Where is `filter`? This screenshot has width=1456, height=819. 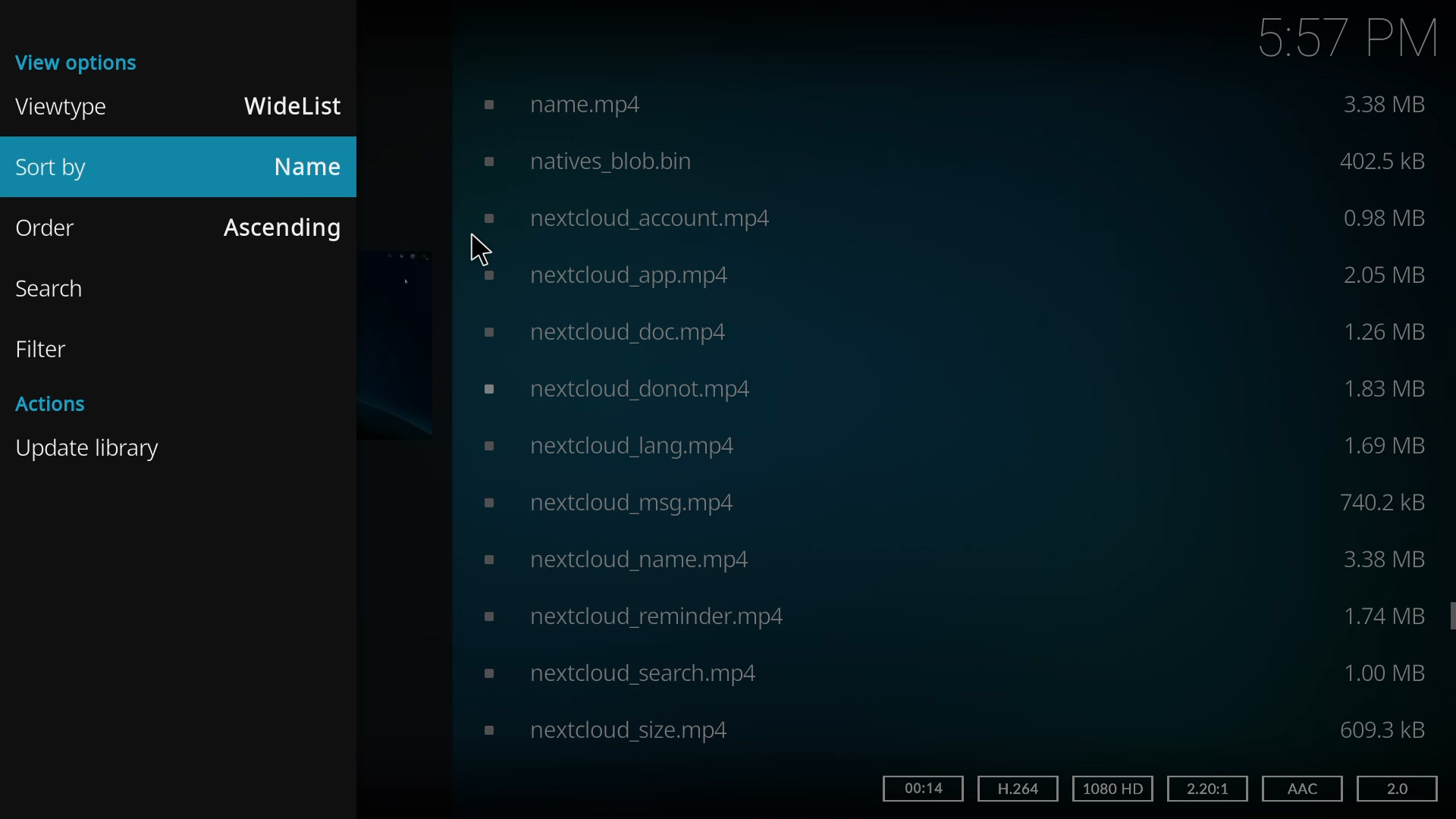
filter is located at coordinates (48, 349).